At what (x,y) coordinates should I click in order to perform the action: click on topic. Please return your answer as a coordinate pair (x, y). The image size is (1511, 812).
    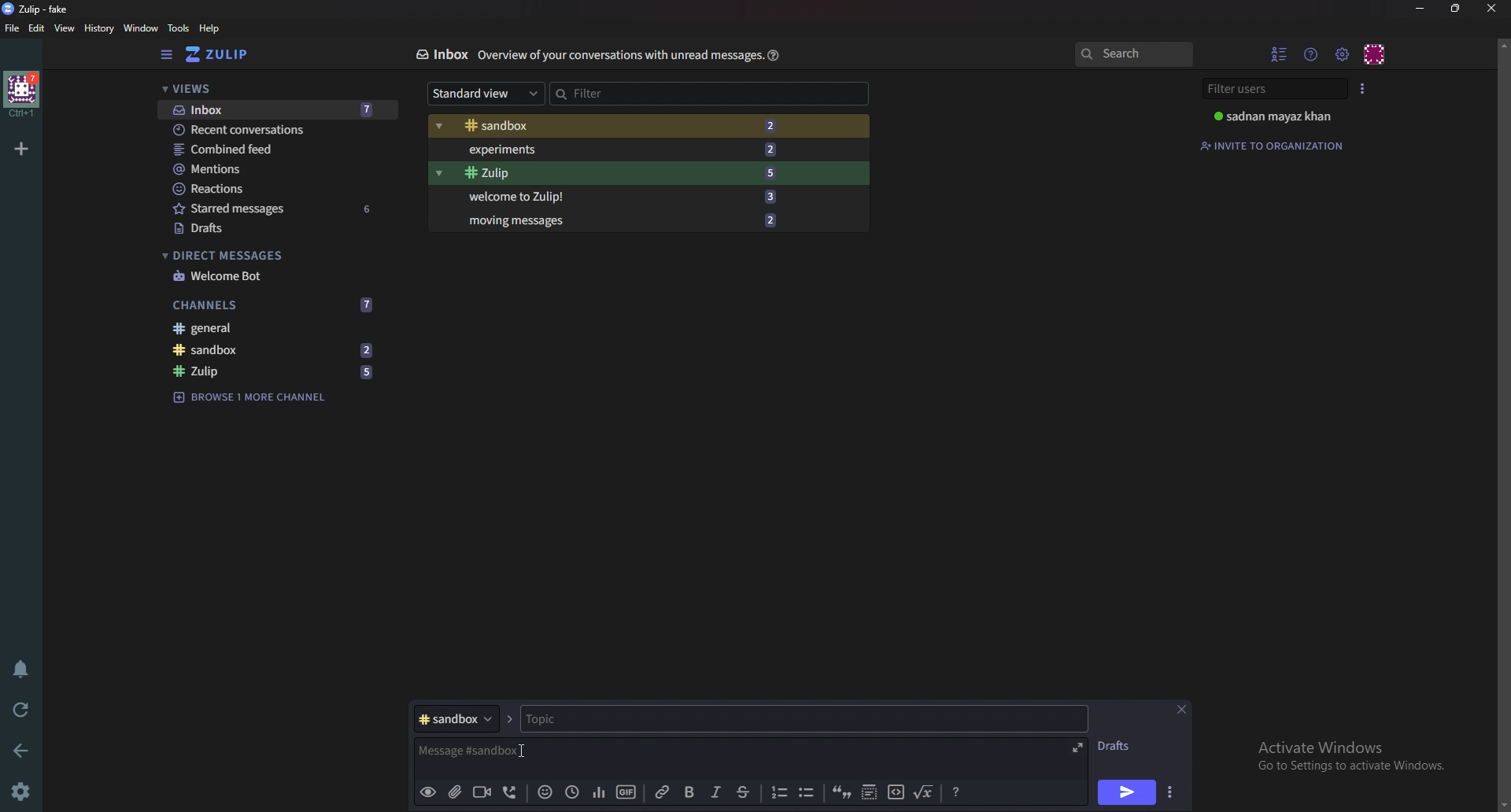
    Looking at the image, I should click on (597, 719).